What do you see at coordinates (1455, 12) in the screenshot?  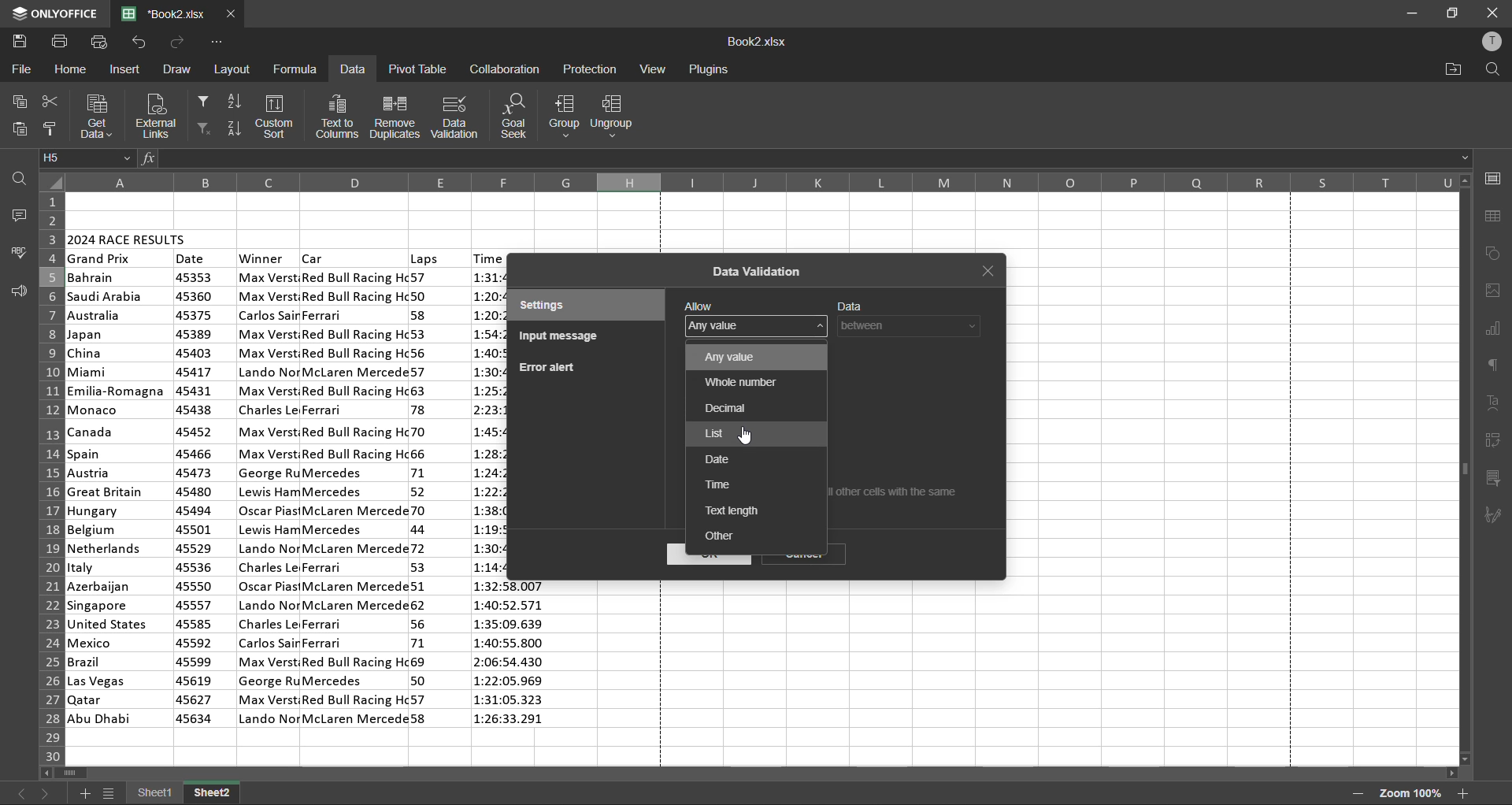 I see `maximize` at bounding box center [1455, 12].